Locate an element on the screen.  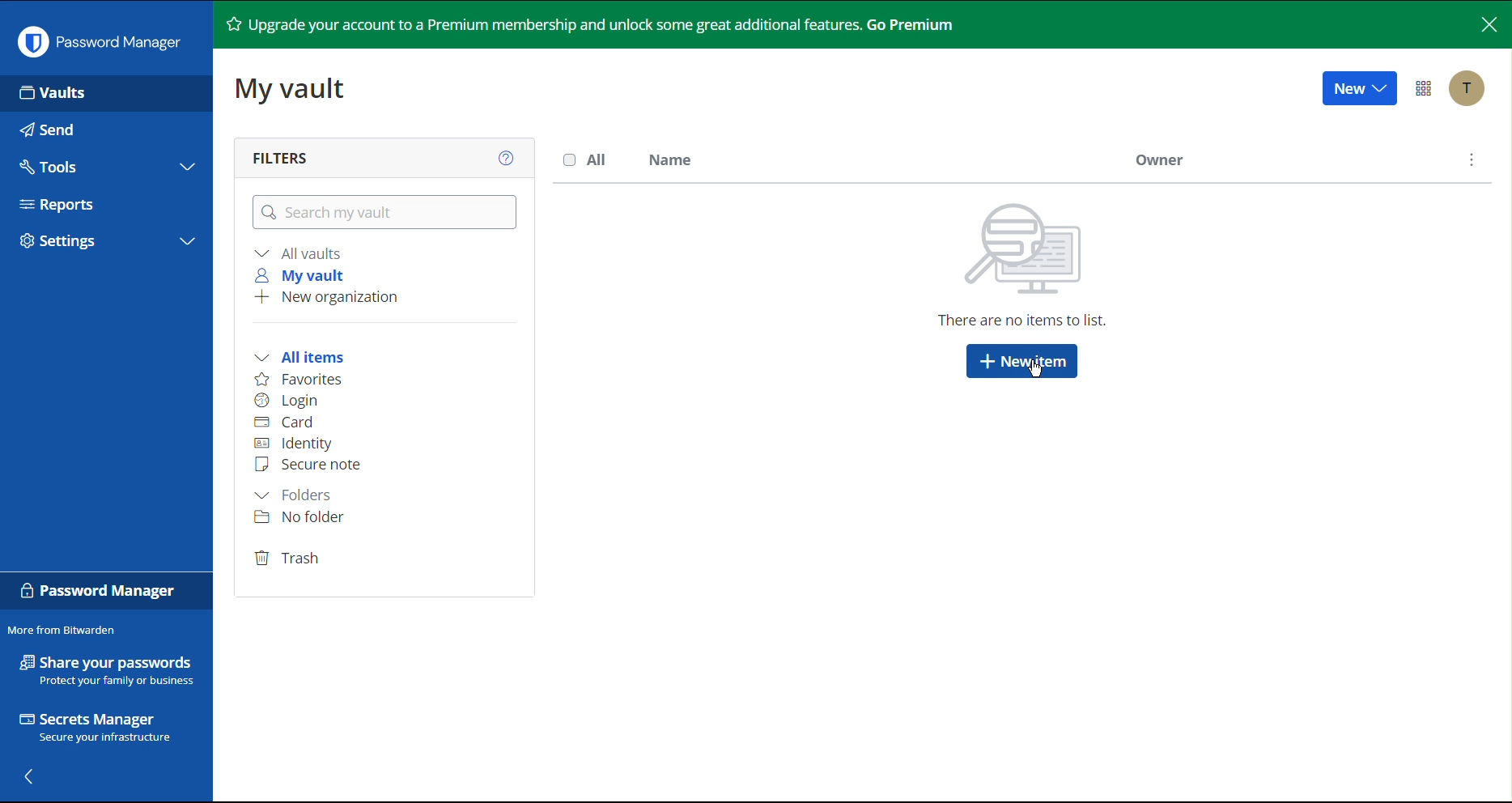
Tools is located at coordinates (102, 164).